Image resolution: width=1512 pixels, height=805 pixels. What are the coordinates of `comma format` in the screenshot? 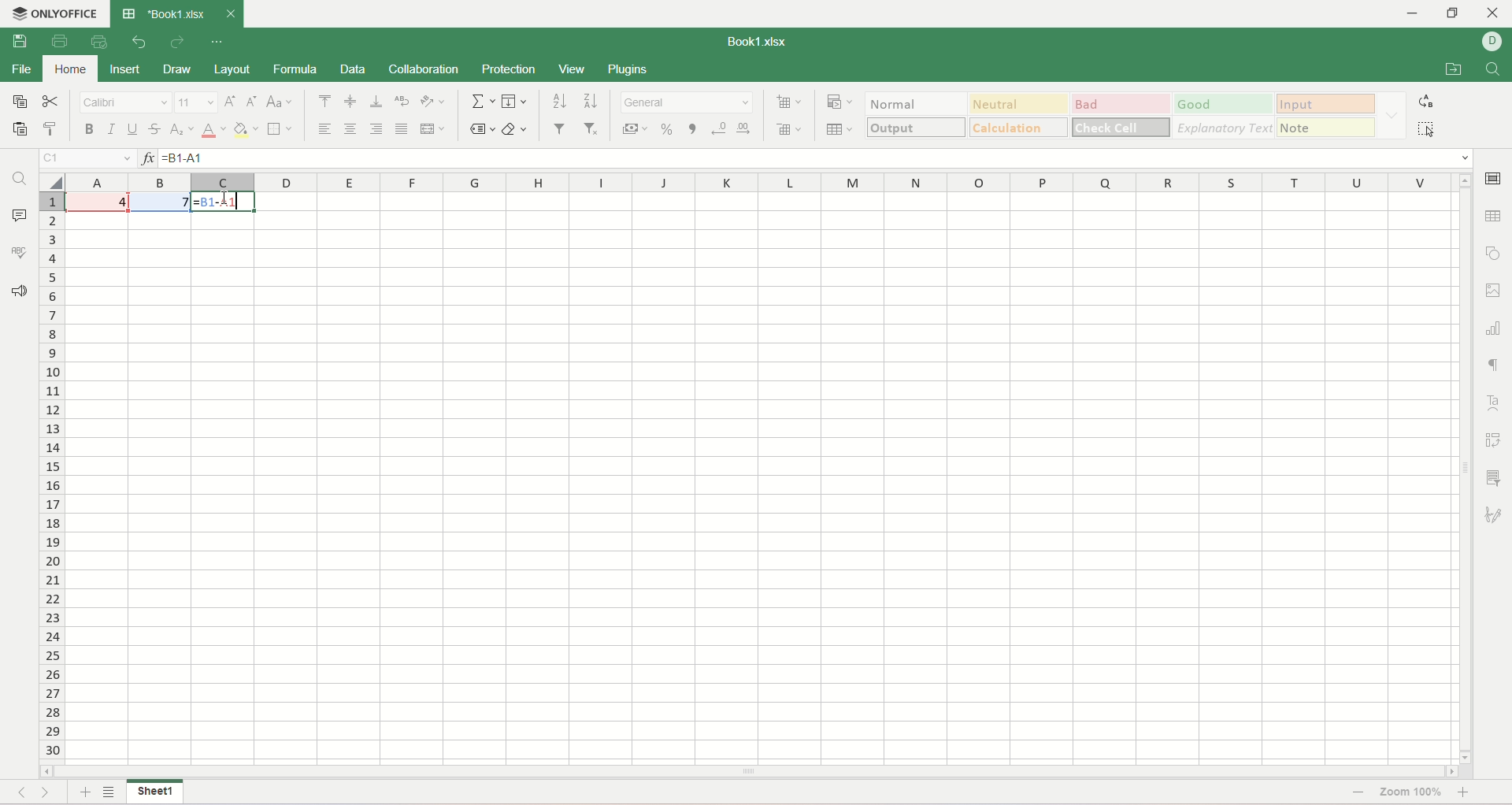 It's located at (692, 129).